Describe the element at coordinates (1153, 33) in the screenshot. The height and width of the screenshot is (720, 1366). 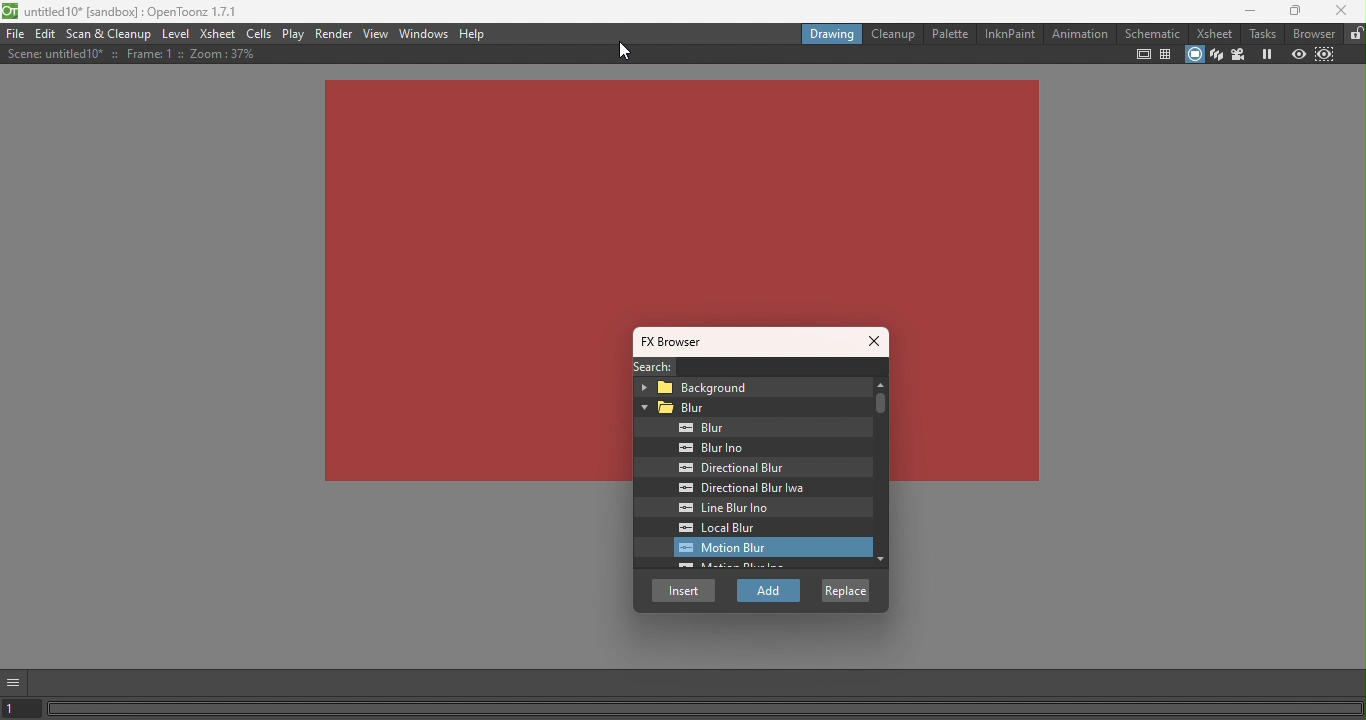
I see `Schematic` at that location.